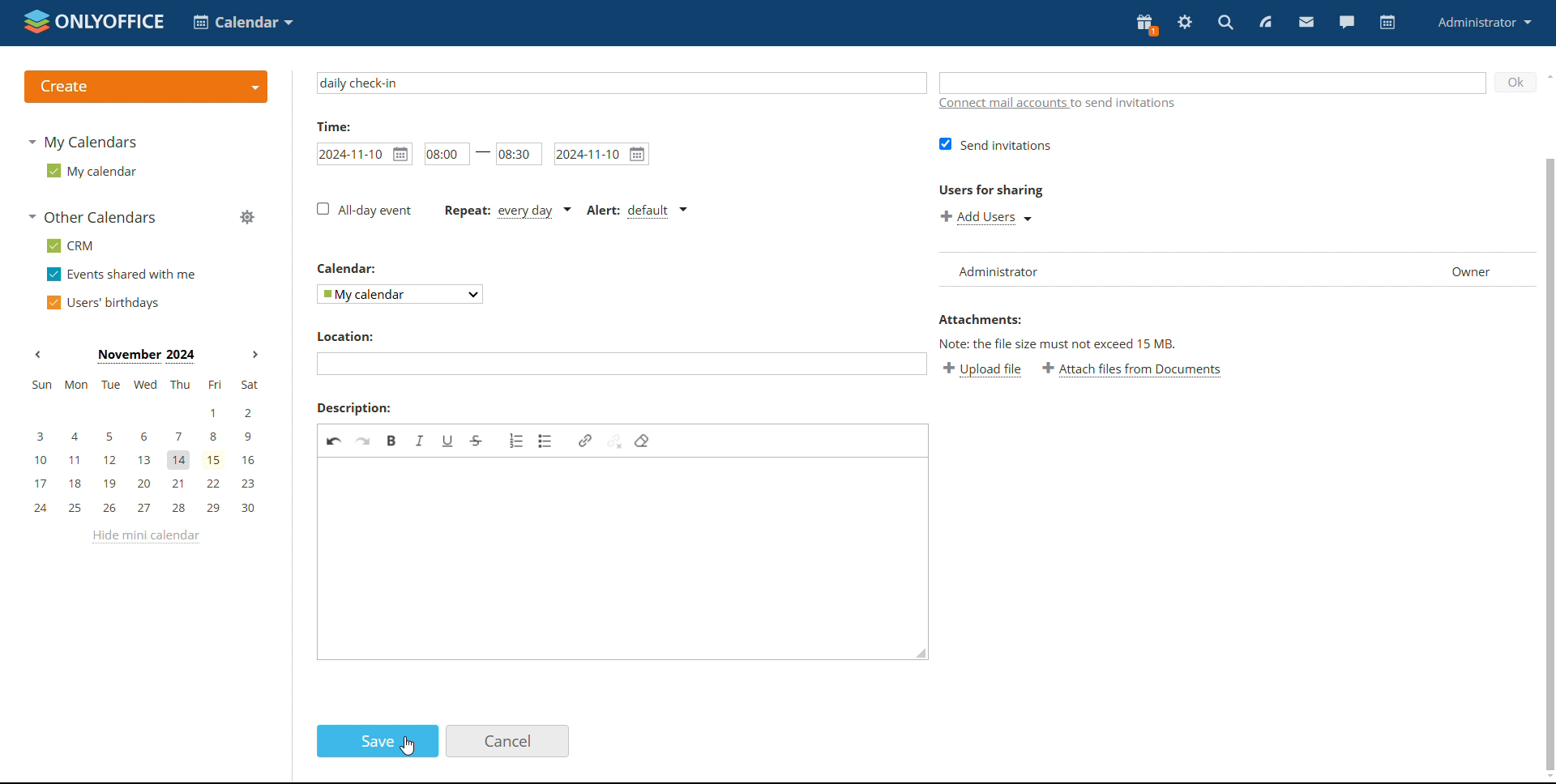  What do you see at coordinates (392, 442) in the screenshot?
I see `bold` at bounding box center [392, 442].